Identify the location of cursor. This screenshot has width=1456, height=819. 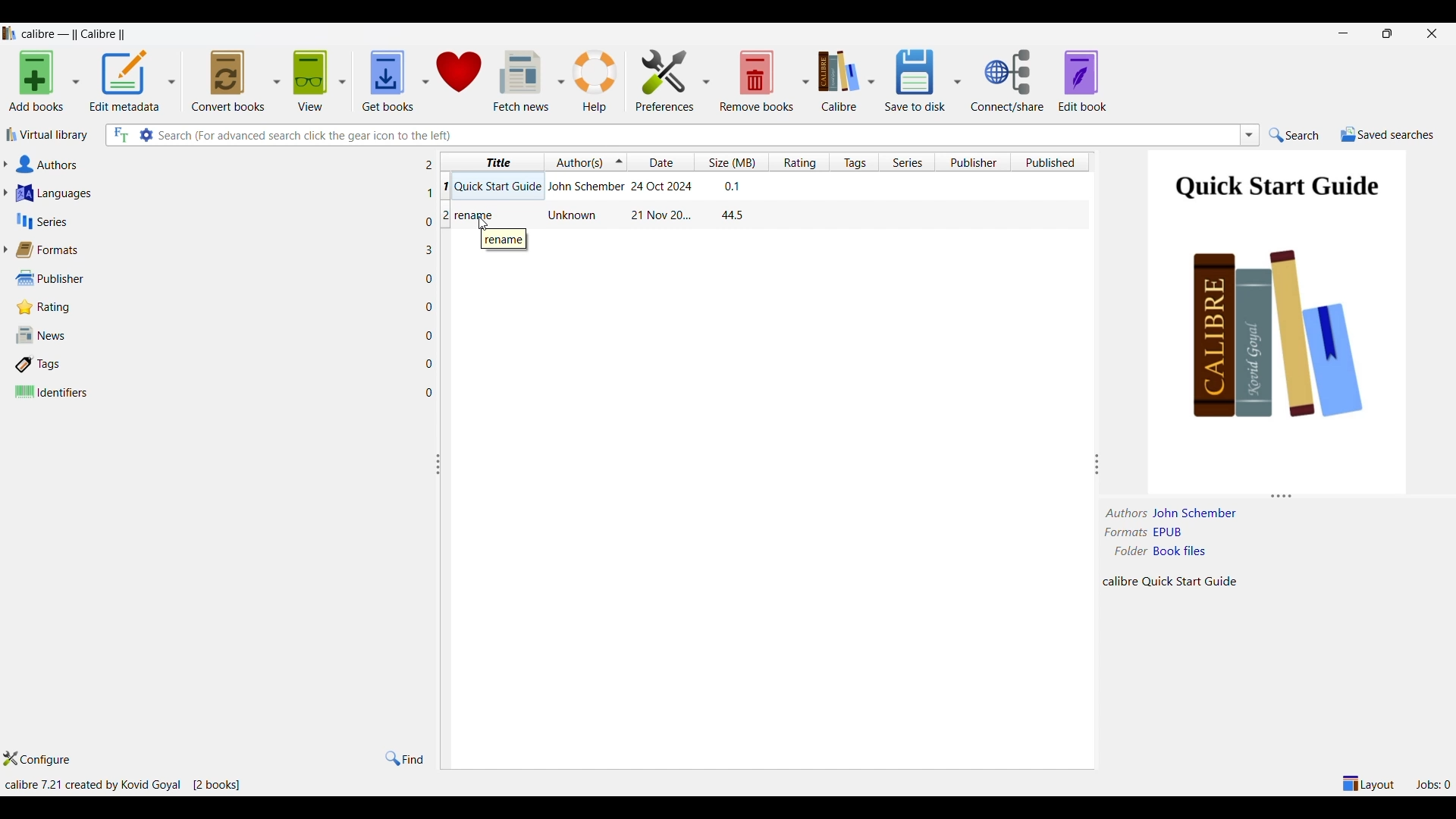
(482, 226).